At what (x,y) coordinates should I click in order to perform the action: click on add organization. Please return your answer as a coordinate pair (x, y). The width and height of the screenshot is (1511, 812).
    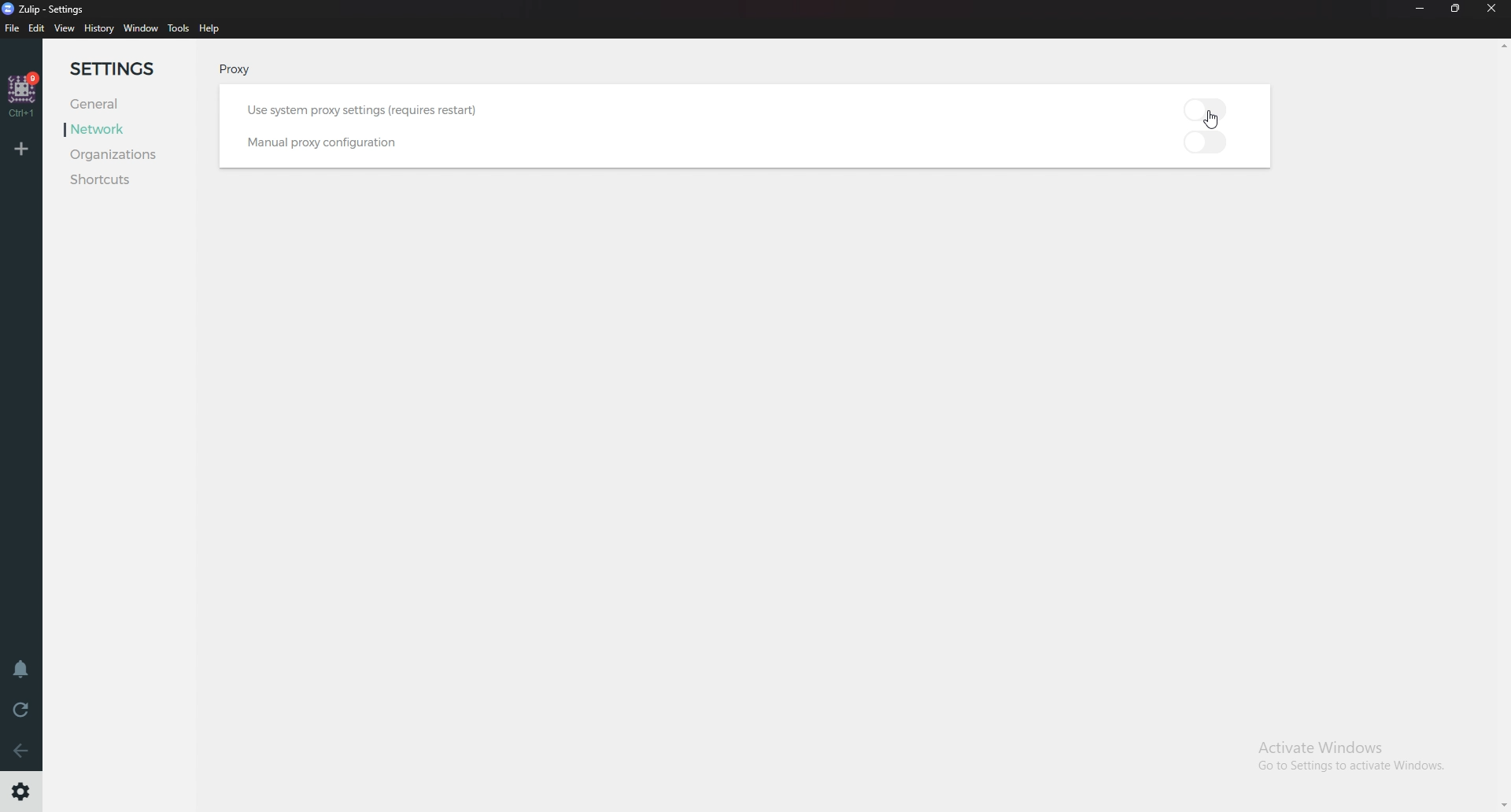
    Looking at the image, I should click on (20, 151).